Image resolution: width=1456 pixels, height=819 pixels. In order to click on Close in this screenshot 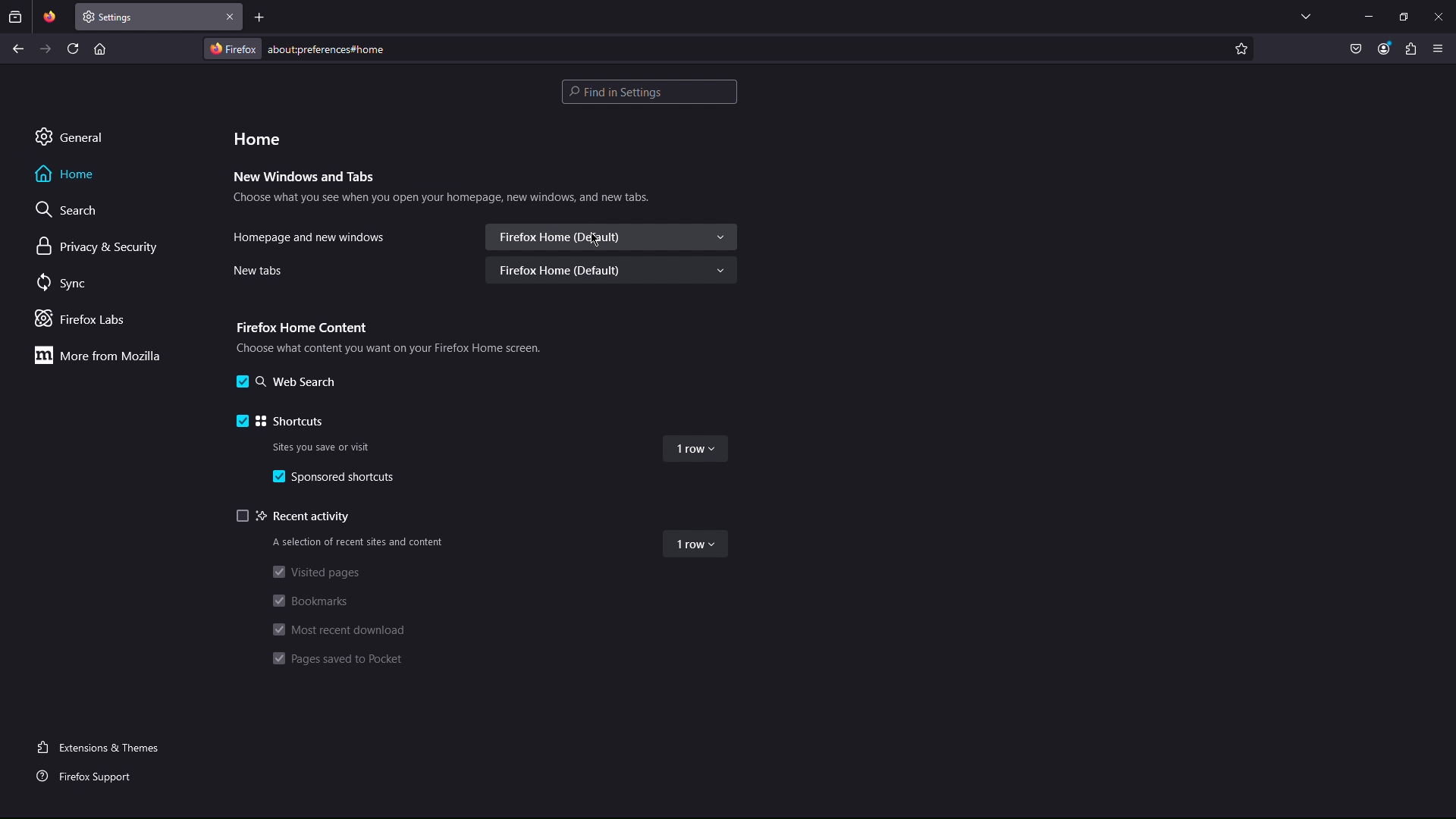, I will do `click(1438, 16)`.